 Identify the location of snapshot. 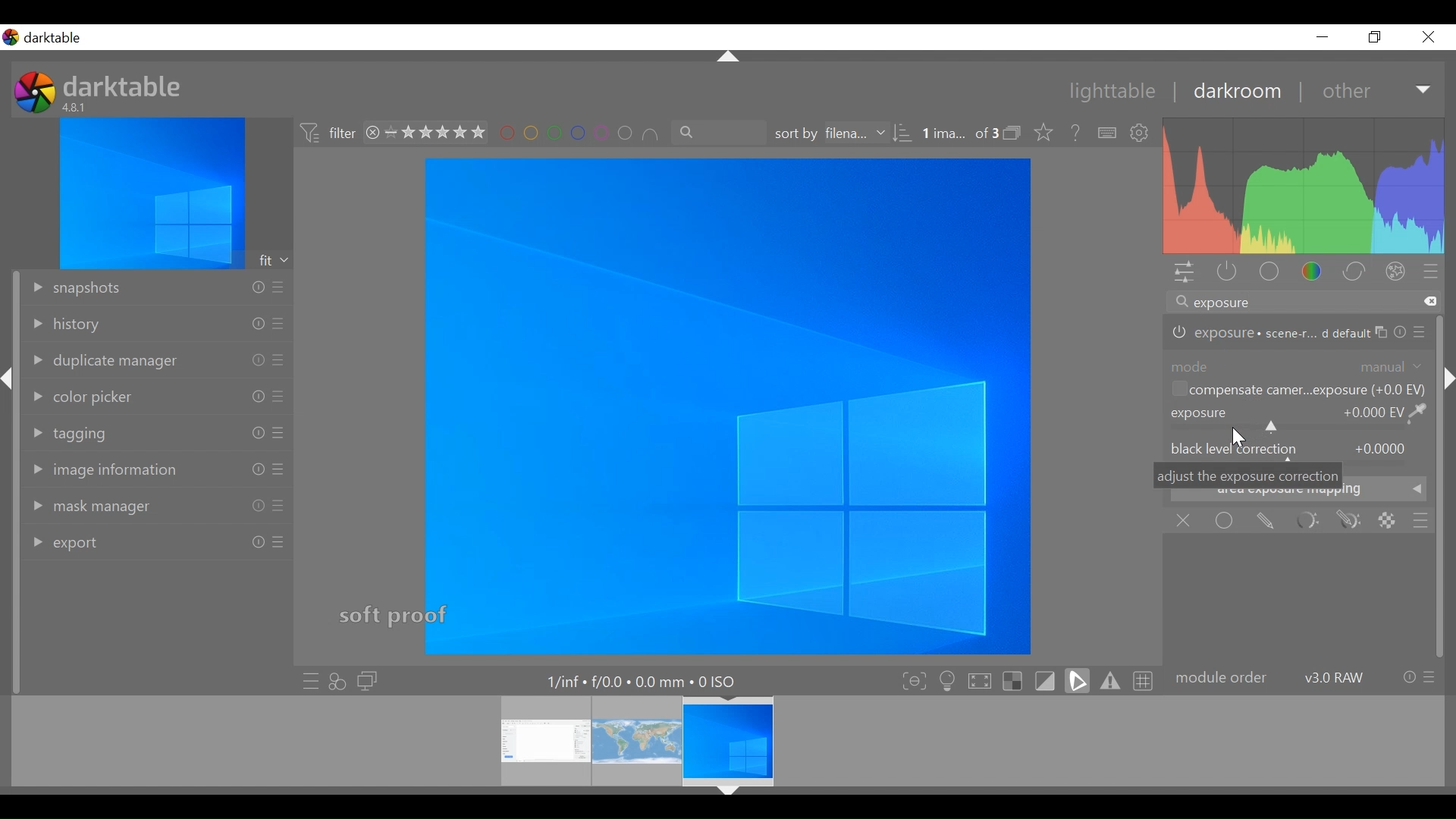
(74, 289).